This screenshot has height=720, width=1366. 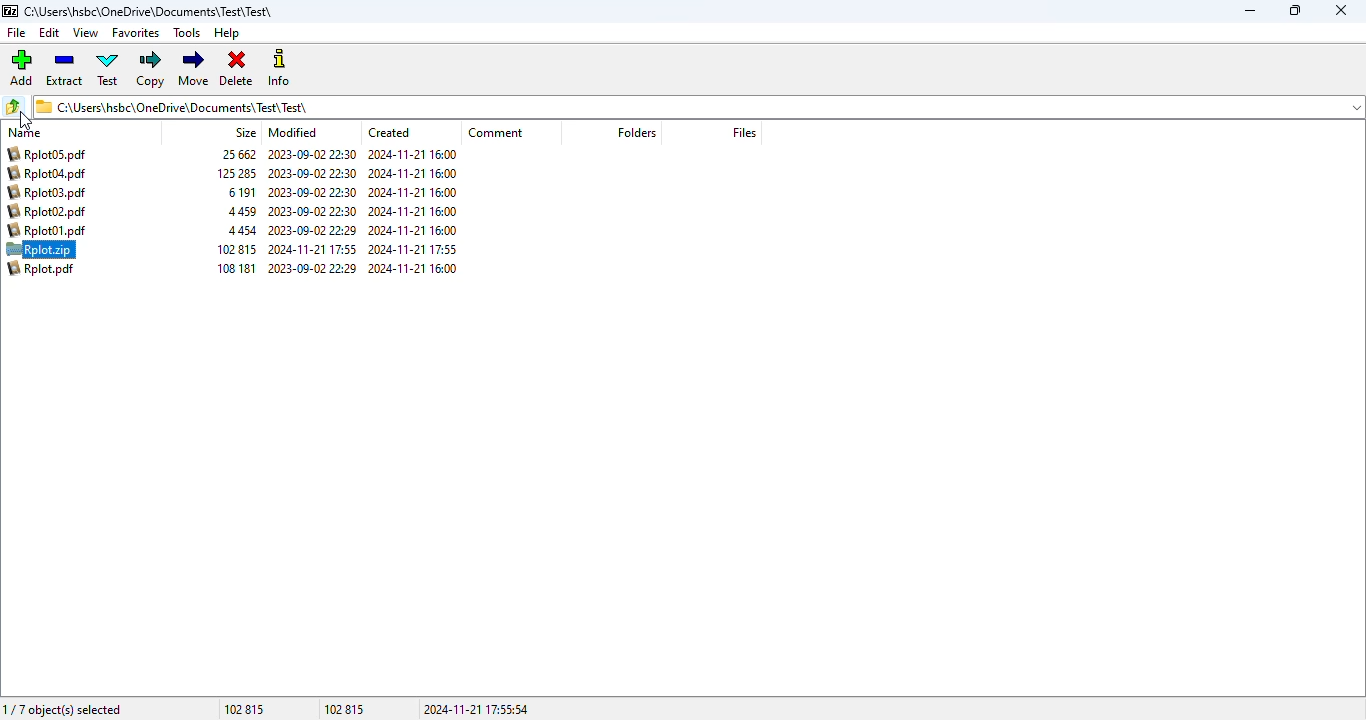 What do you see at coordinates (411, 211) in the screenshot?
I see `2024-11-21 16:00` at bounding box center [411, 211].